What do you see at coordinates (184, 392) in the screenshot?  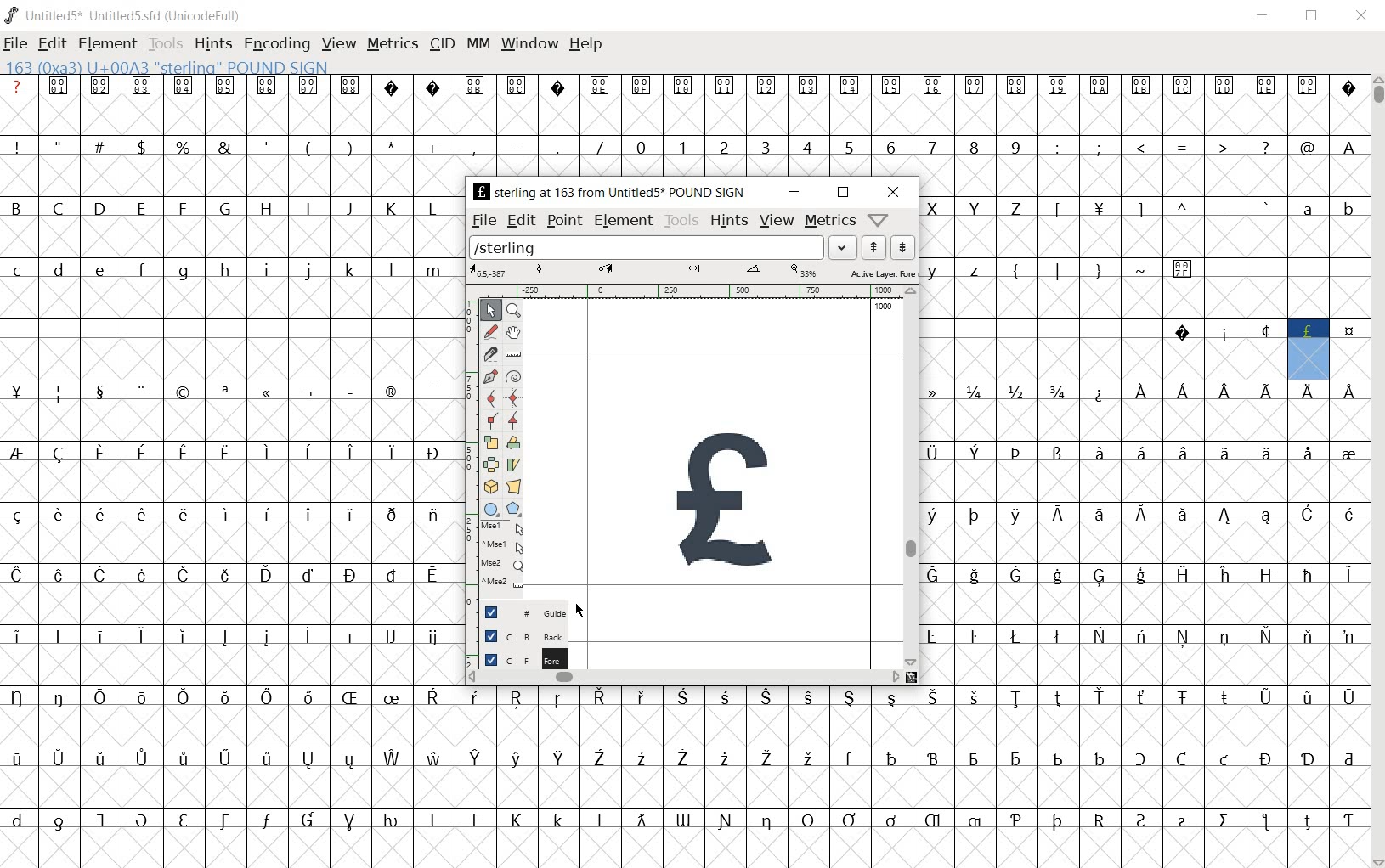 I see `Symbol` at bounding box center [184, 392].